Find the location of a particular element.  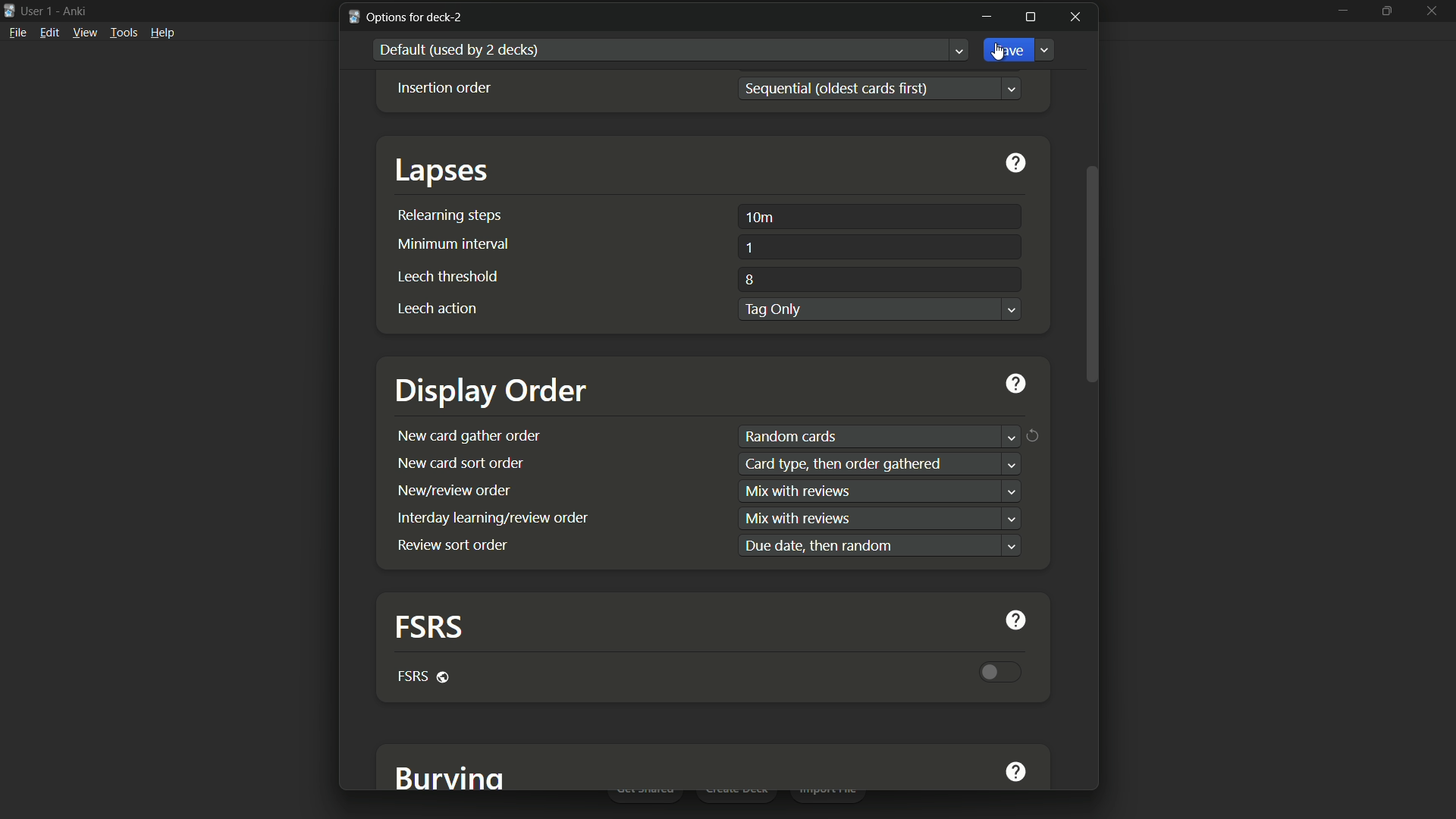

save is located at coordinates (1006, 50).